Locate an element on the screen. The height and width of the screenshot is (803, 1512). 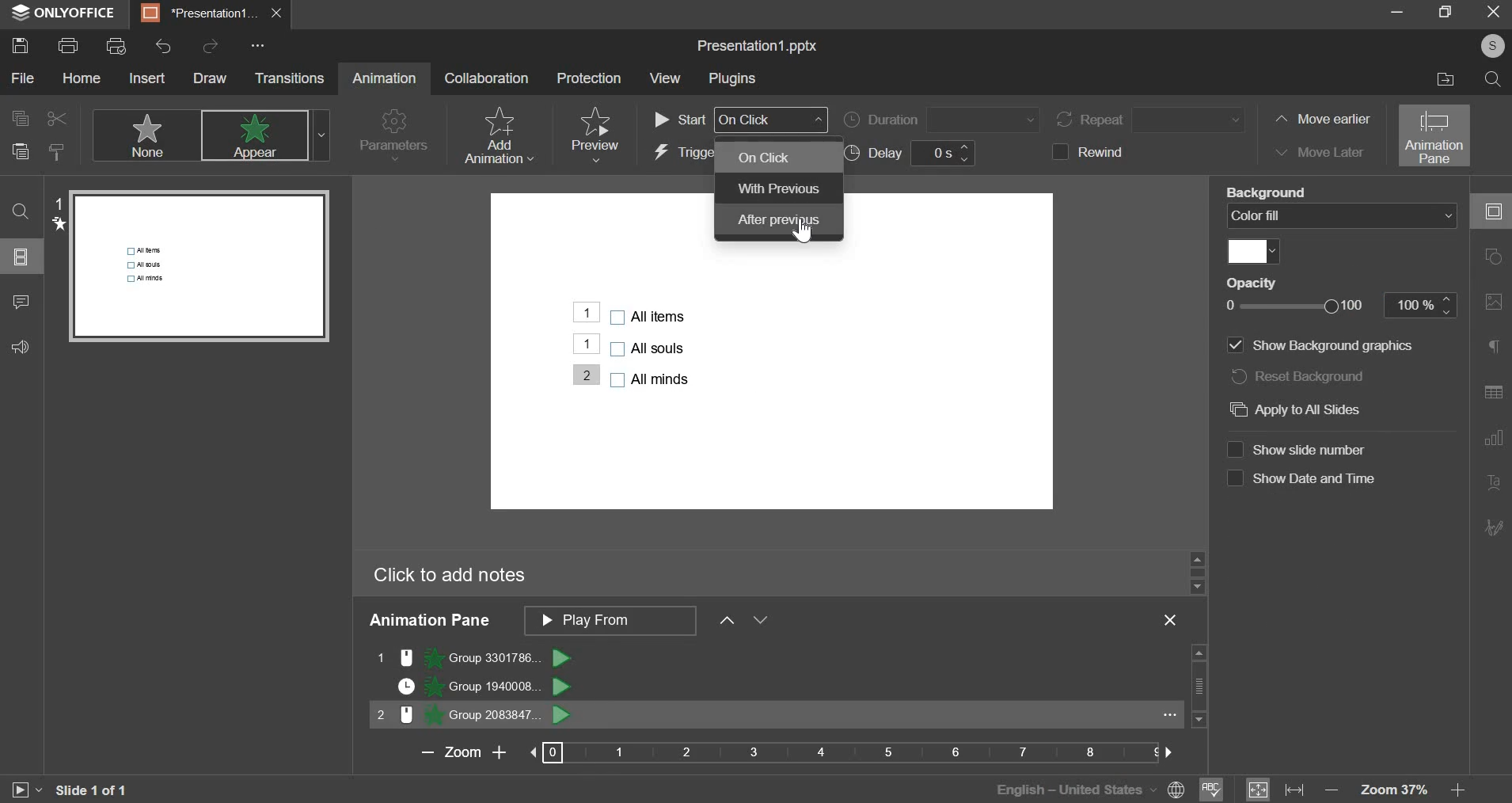
repeat is located at coordinates (1153, 120).